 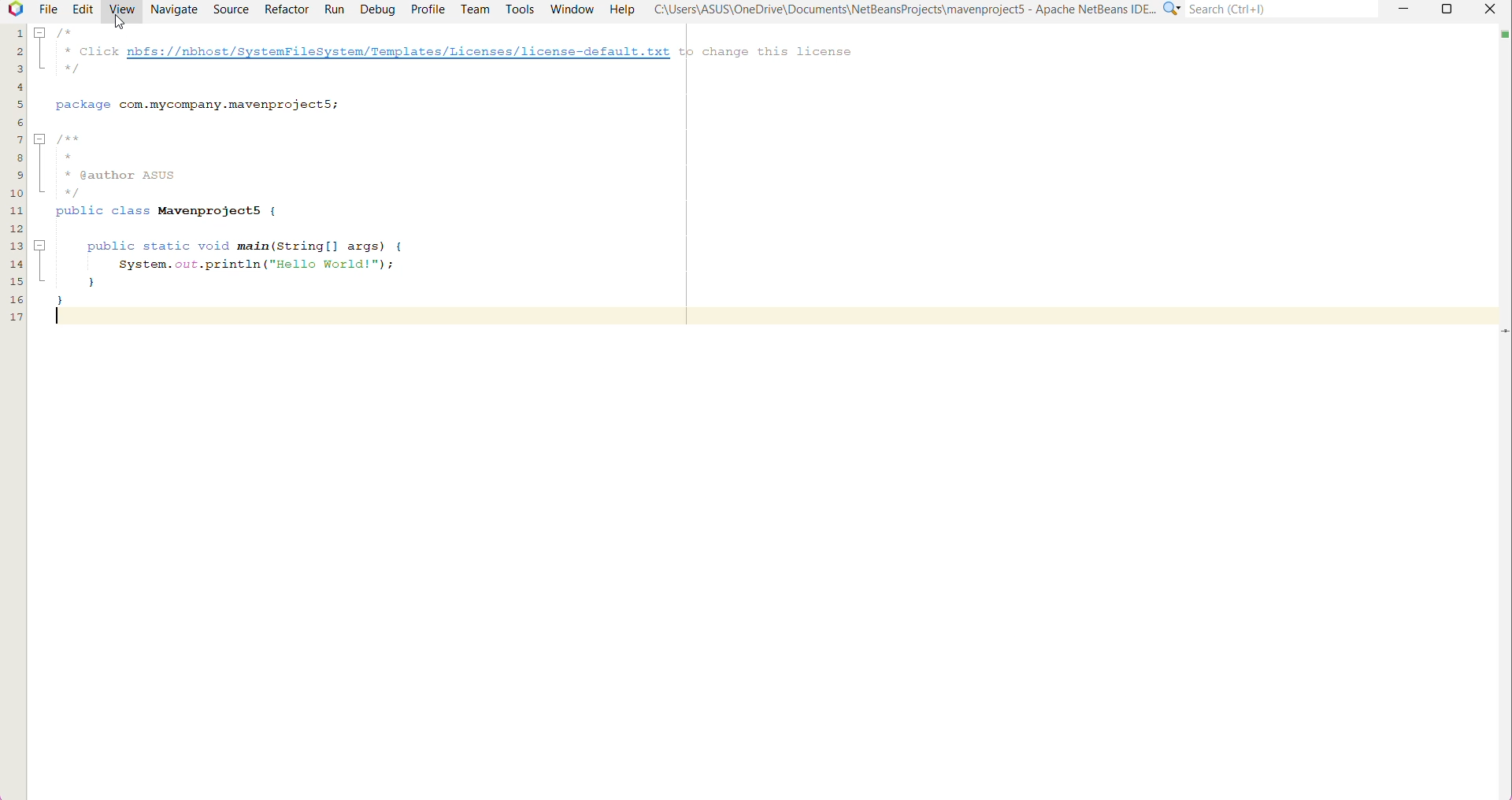 I want to click on Application Logo, so click(x=13, y=10).